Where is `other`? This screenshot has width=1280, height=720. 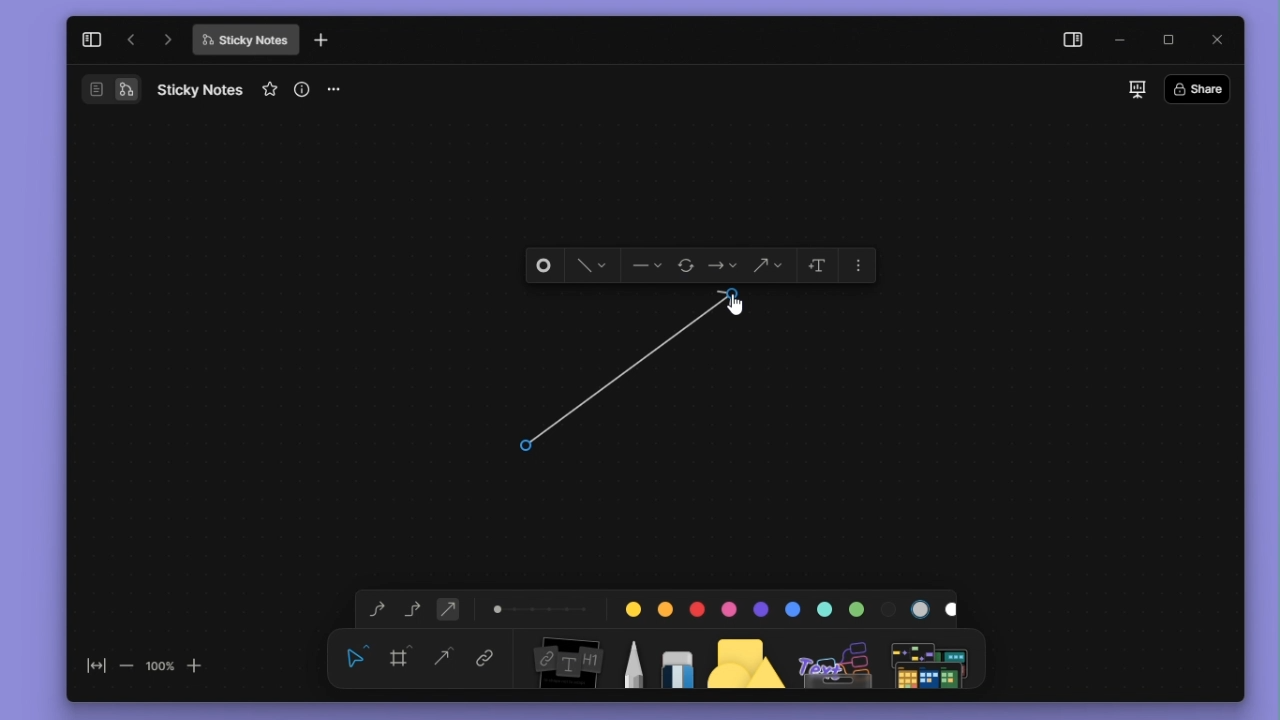
other is located at coordinates (837, 658).